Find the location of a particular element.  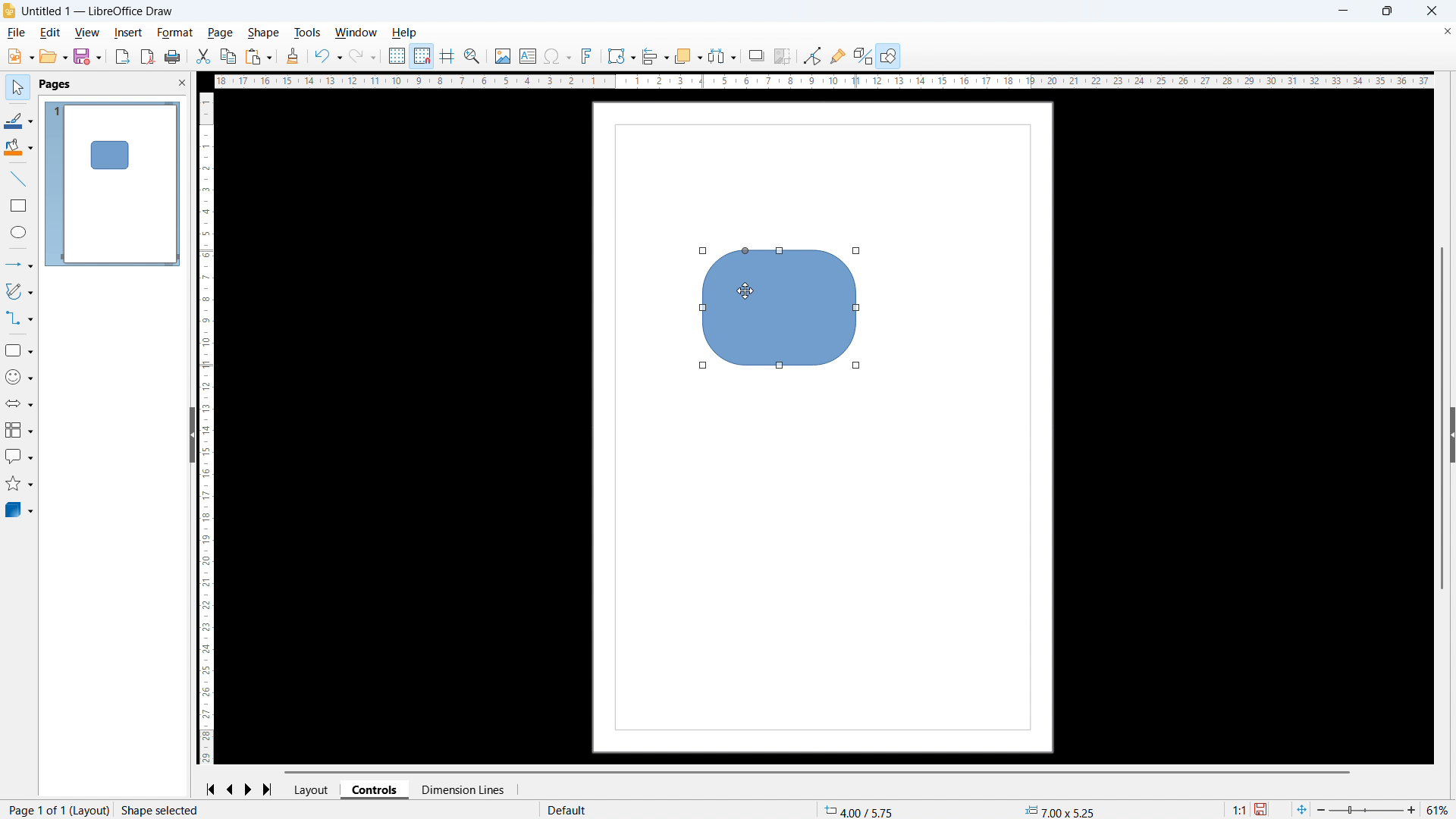

Go to first page  is located at coordinates (210, 790).